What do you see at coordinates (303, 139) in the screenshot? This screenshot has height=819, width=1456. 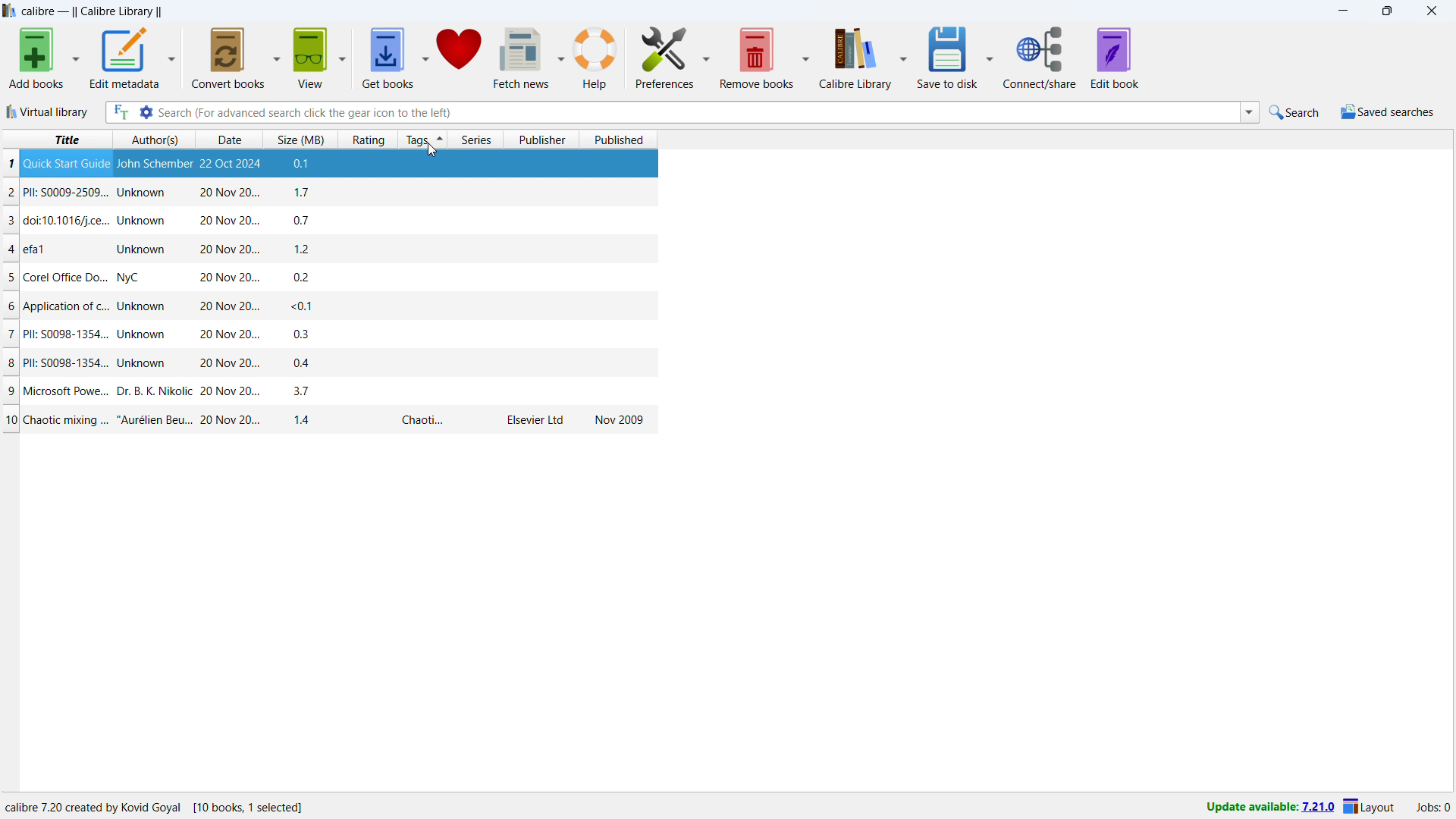 I see `sort by size` at bounding box center [303, 139].